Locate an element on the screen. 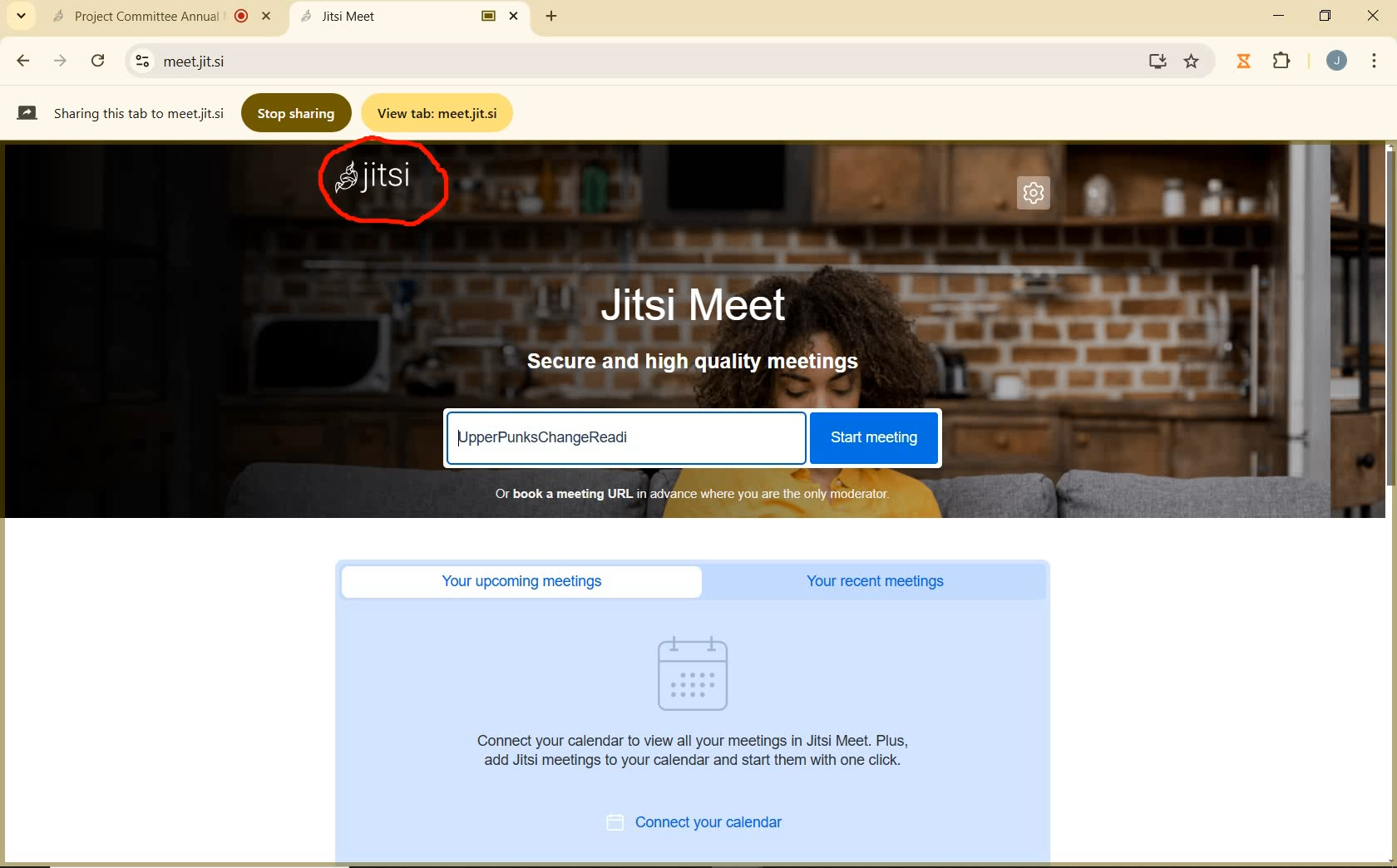 This screenshot has height=868, width=1397. screen is located at coordinates (1154, 61).